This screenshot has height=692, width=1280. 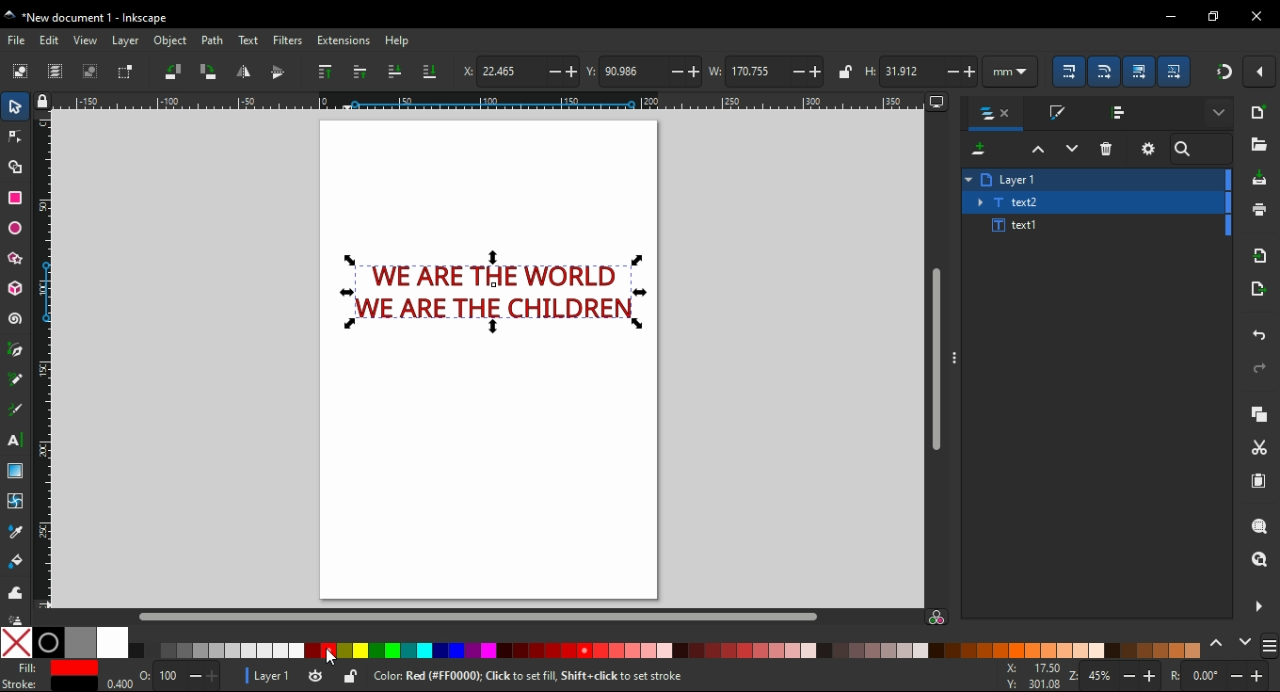 What do you see at coordinates (332, 656) in the screenshot?
I see `mouse pointer` at bounding box center [332, 656].